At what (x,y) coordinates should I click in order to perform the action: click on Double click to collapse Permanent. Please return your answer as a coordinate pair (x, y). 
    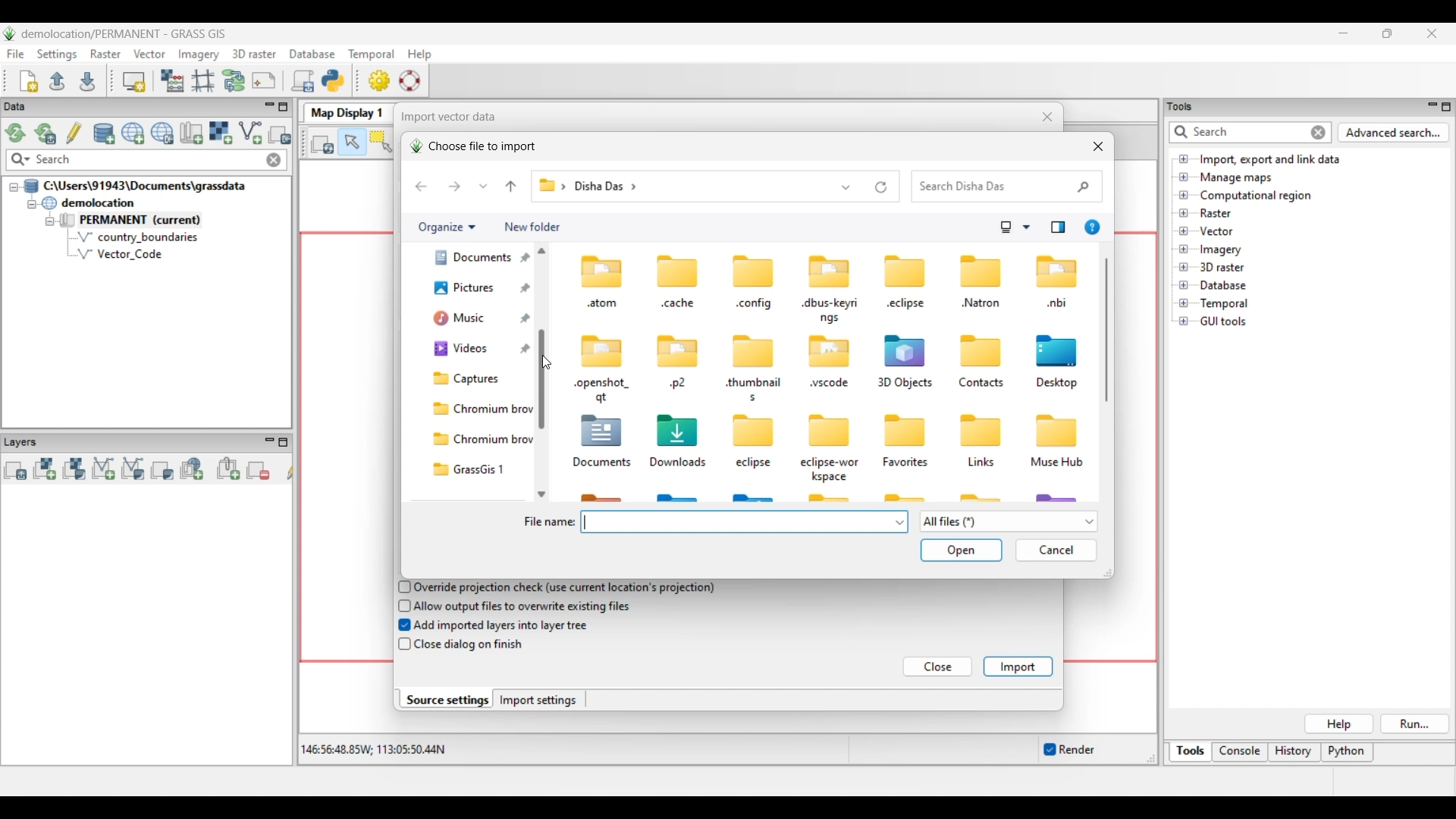
    Looking at the image, I should click on (151, 221).